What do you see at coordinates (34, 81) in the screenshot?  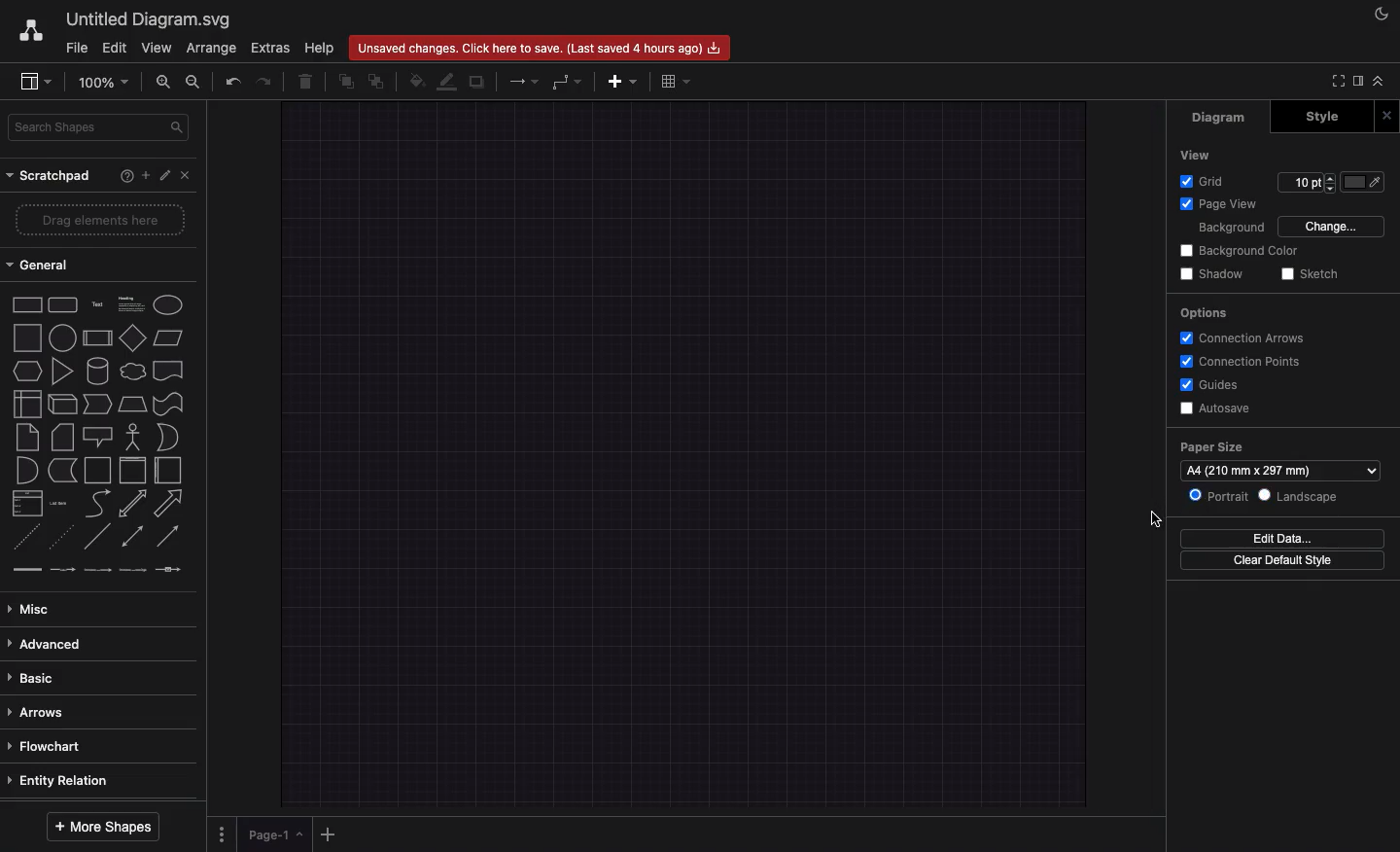 I see `Sidebar` at bounding box center [34, 81].